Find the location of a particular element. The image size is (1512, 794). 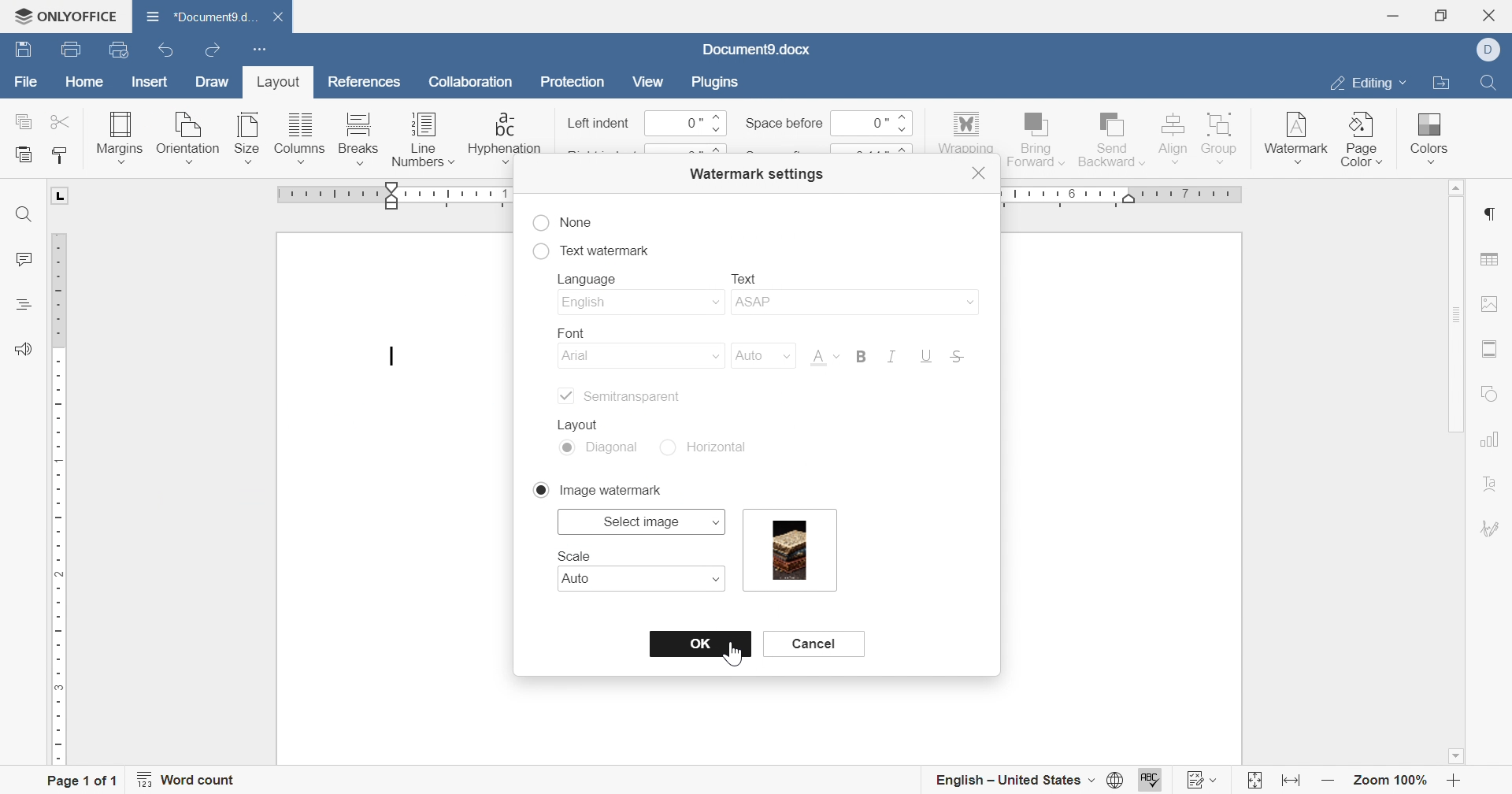

home is located at coordinates (85, 84).